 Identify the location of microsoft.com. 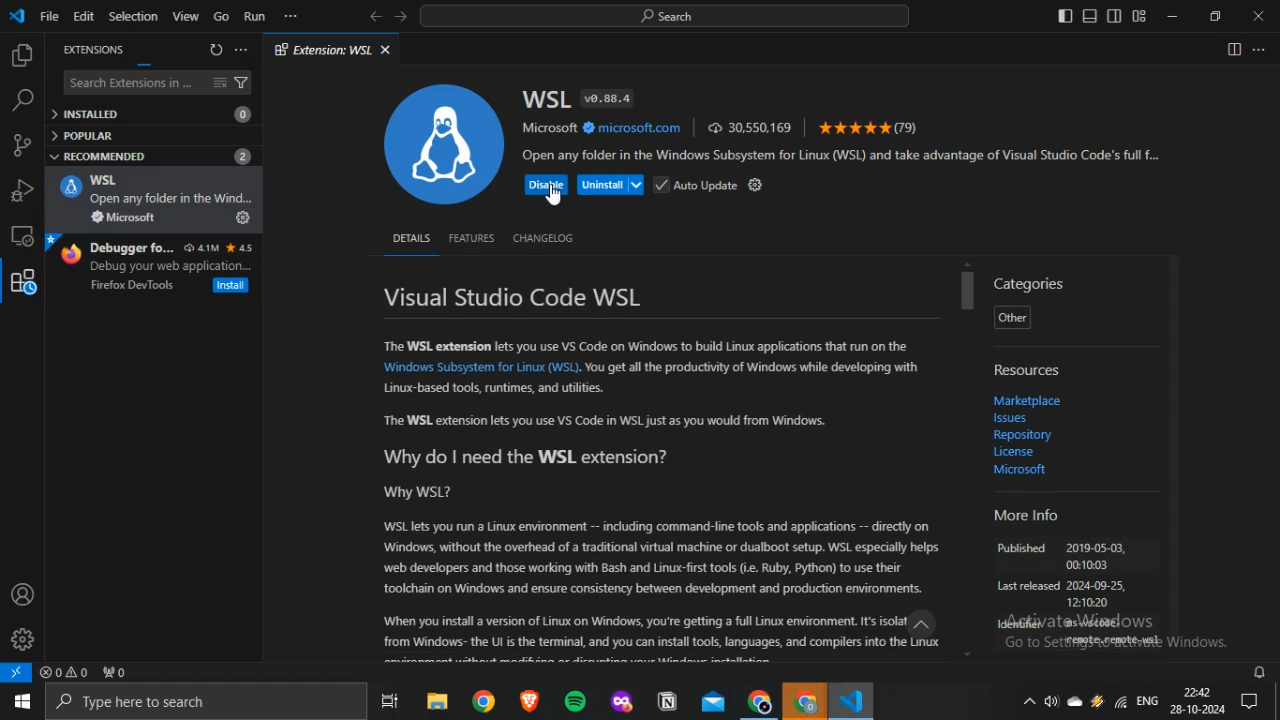
(633, 128).